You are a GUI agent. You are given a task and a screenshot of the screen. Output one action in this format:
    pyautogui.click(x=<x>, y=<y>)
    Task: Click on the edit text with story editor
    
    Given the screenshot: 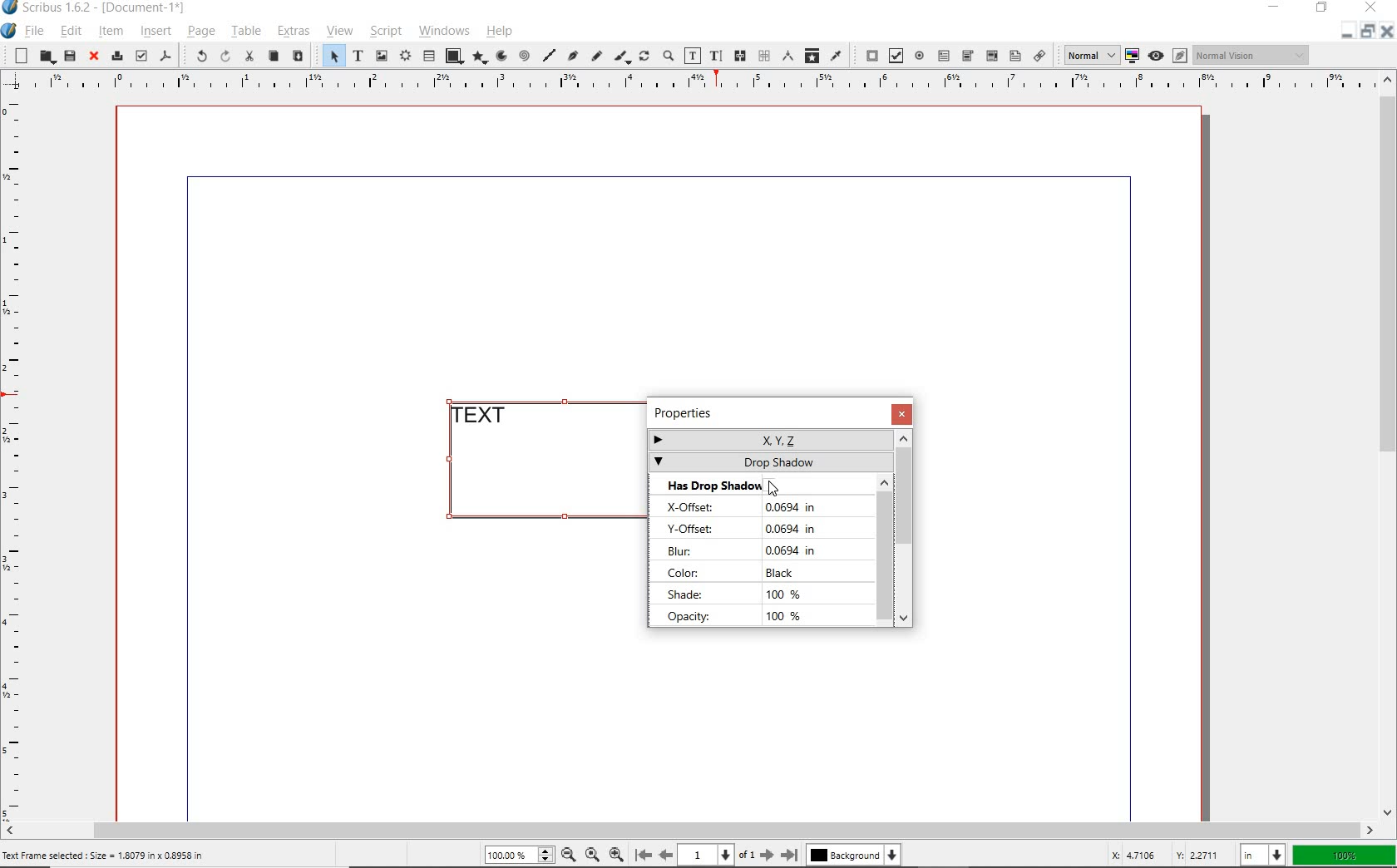 What is the action you would take?
    pyautogui.click(x=715, y=57)
    